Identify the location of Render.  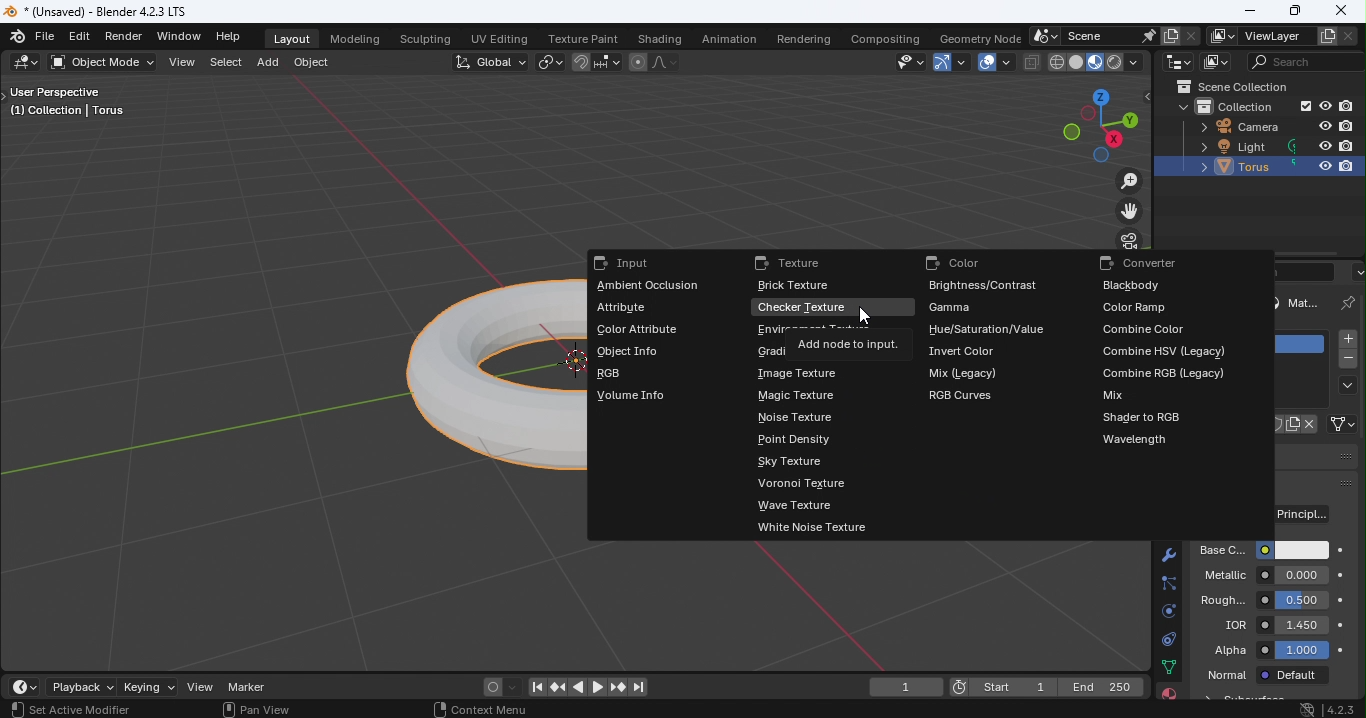
(125, 38).